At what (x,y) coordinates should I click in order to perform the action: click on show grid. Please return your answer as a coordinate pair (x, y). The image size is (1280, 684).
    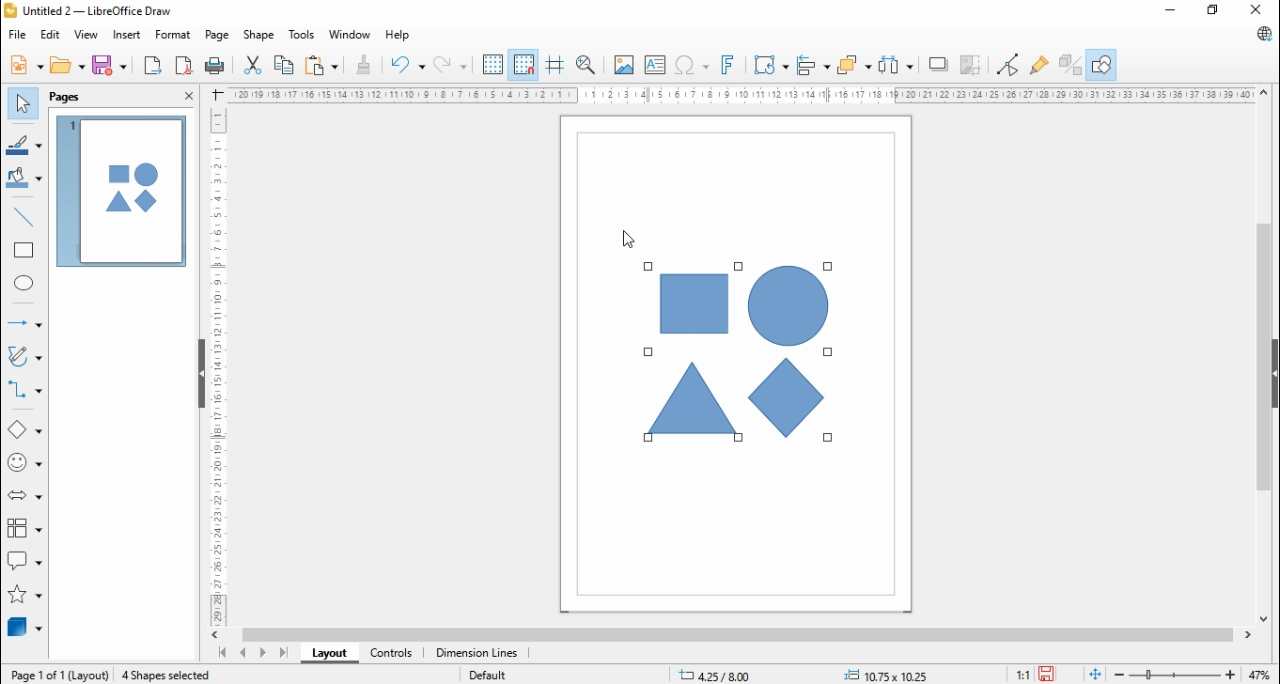
    Looking at the image, I should click on (493, 64).